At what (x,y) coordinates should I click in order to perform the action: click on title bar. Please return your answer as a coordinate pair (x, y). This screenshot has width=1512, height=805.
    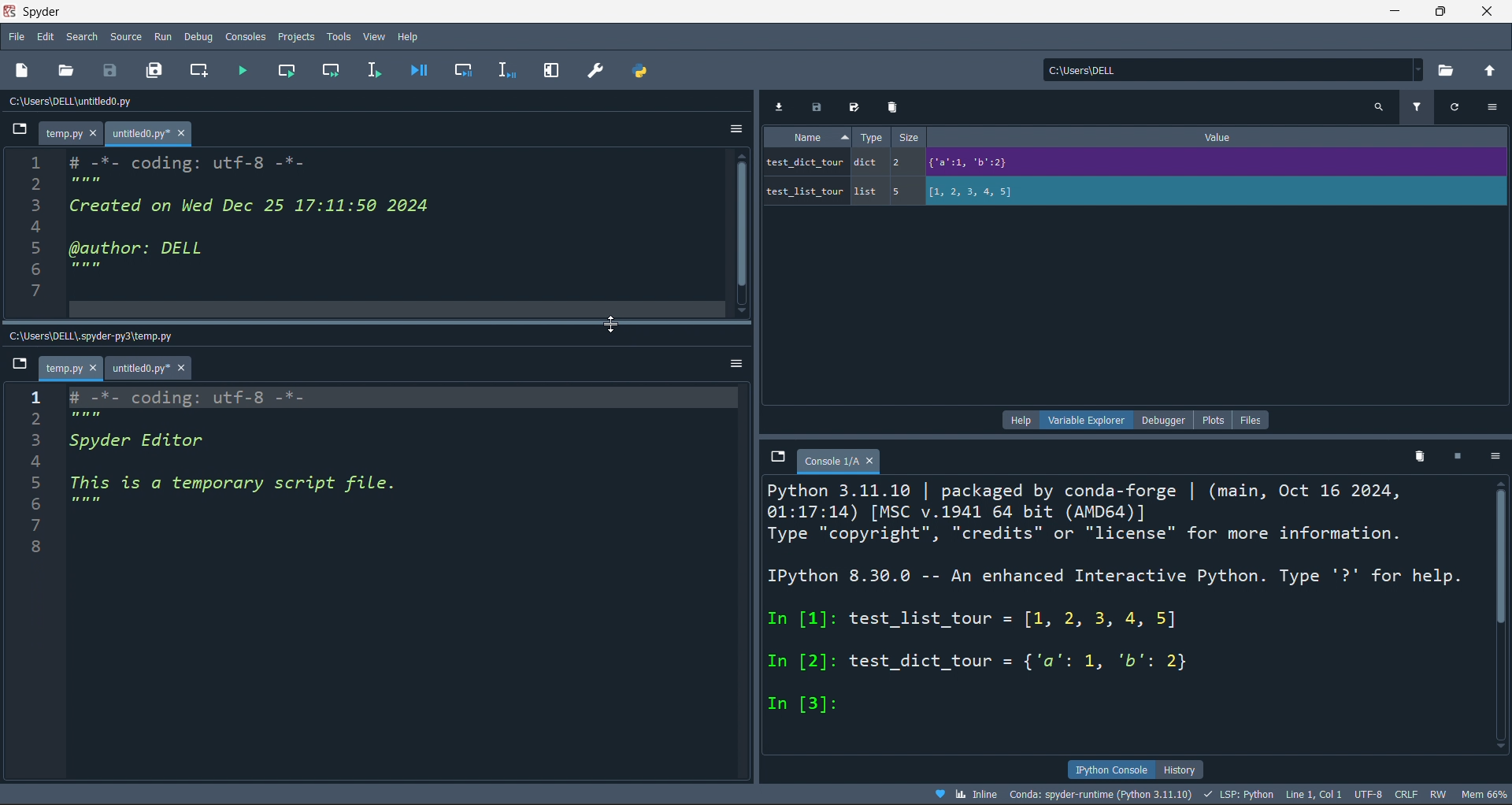
    Looking at the image, I should click on (689, 12).